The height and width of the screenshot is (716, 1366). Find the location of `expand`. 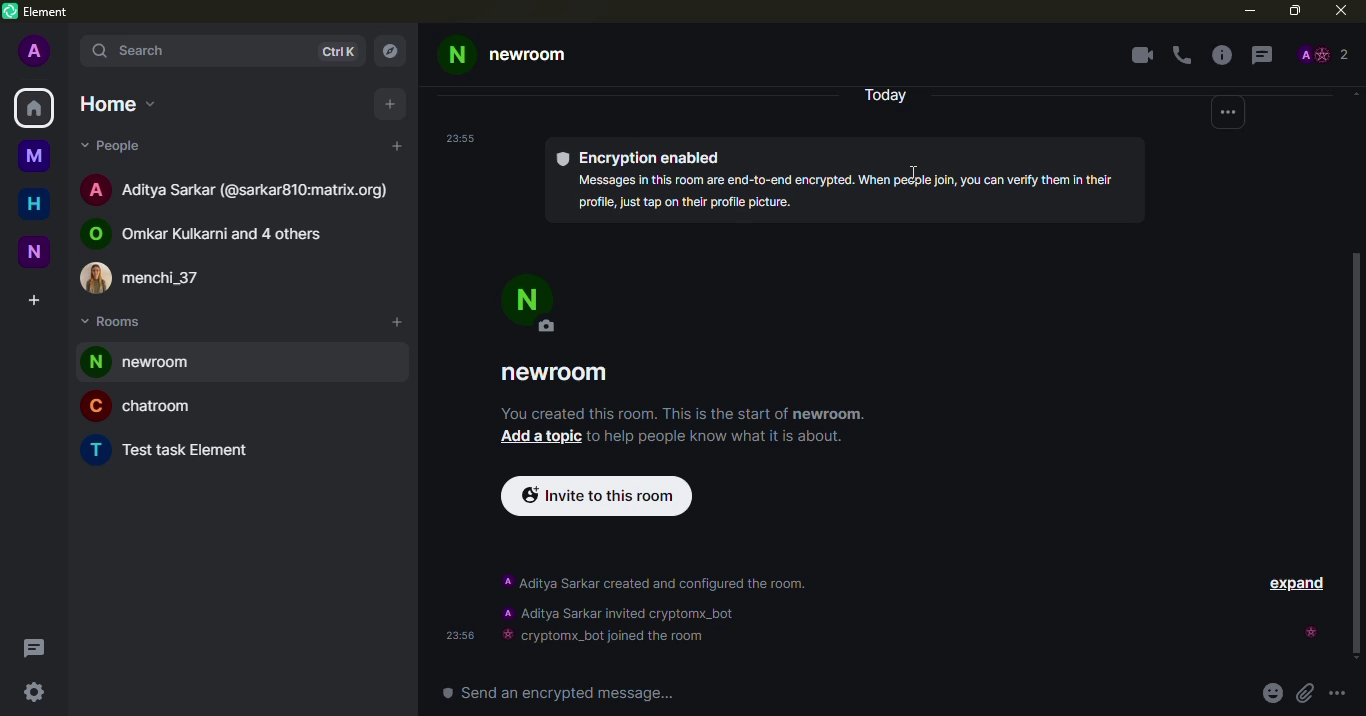

expand is located at coordinates (1299, 586).